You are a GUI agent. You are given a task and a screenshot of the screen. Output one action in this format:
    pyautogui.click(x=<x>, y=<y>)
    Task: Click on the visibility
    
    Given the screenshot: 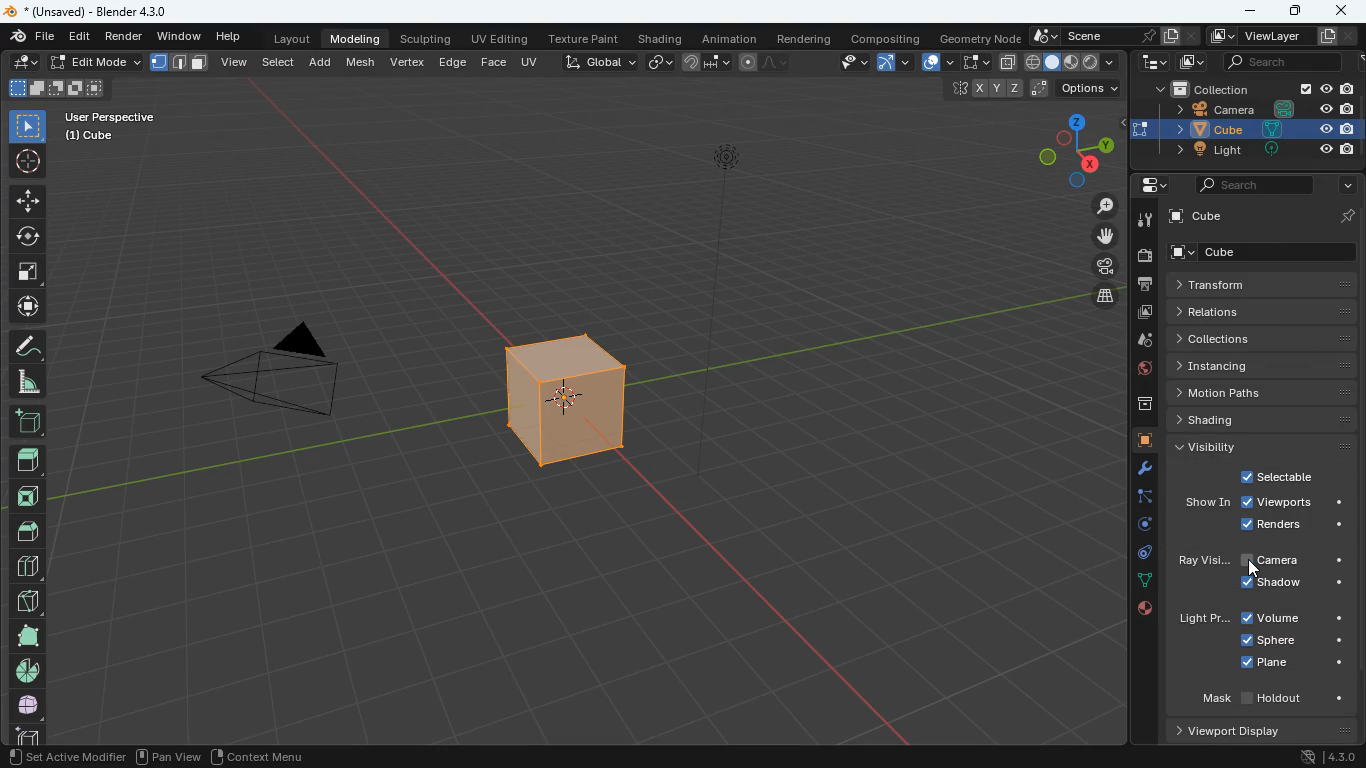 What is the action you would take?
    pyautogui.click(x=1264, y=445)
    